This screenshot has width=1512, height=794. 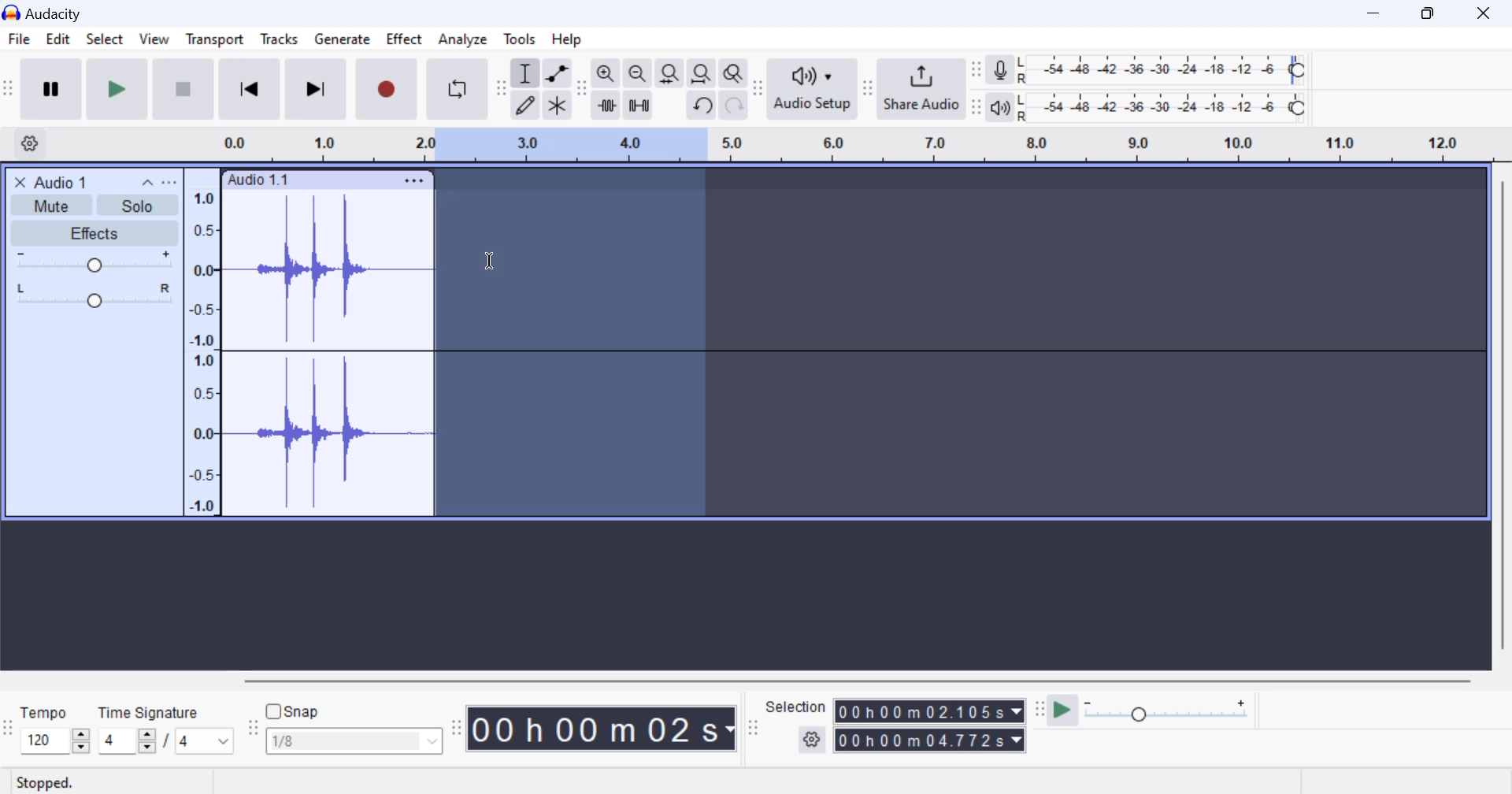 I want to click on Time Signature, so click(x=150, y=710).